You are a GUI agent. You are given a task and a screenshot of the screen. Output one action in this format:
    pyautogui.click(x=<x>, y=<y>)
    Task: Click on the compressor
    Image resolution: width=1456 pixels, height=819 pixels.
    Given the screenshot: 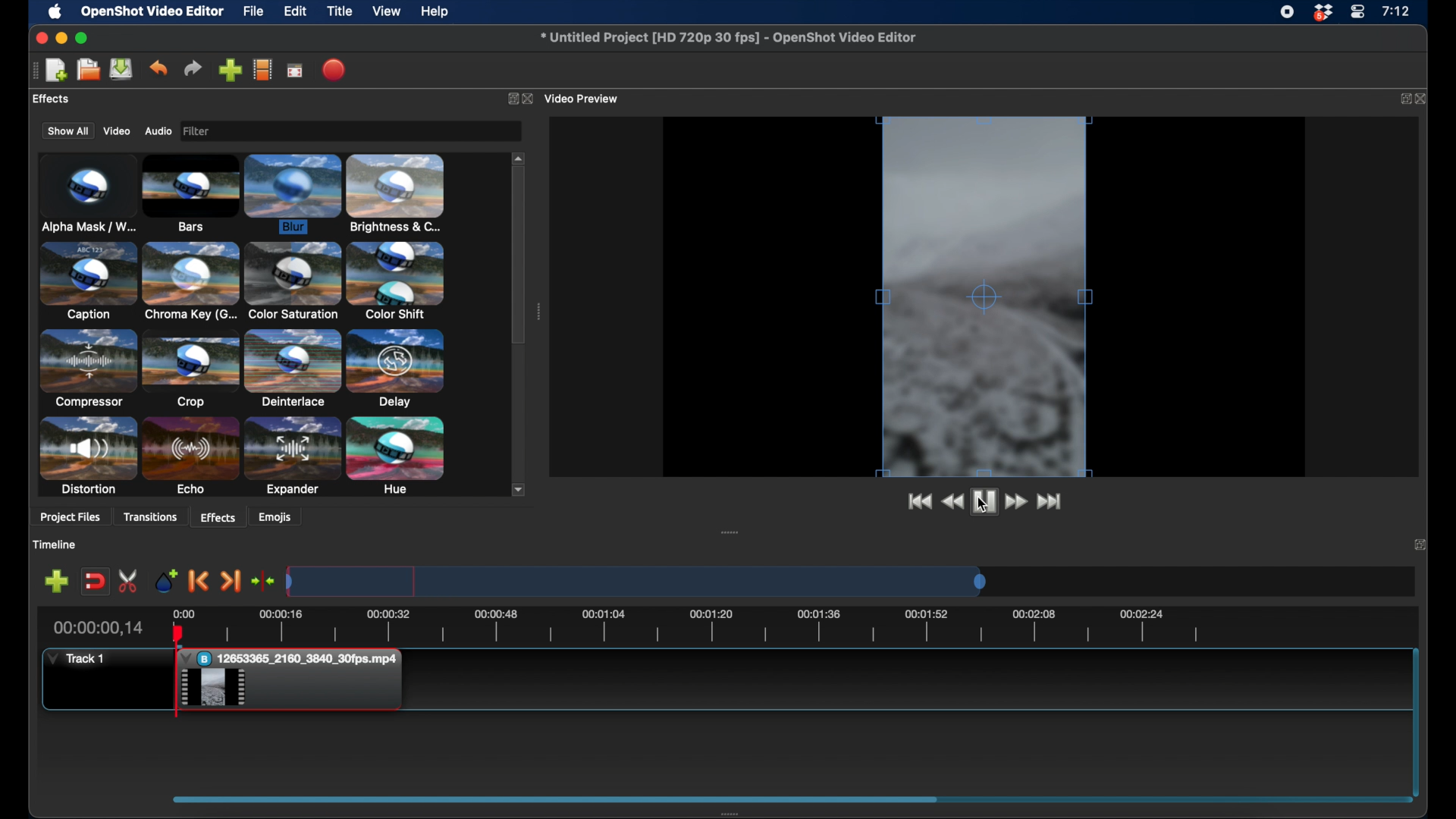 What is the action you would take?
    pyautogui.click(x=86, y=368)
    